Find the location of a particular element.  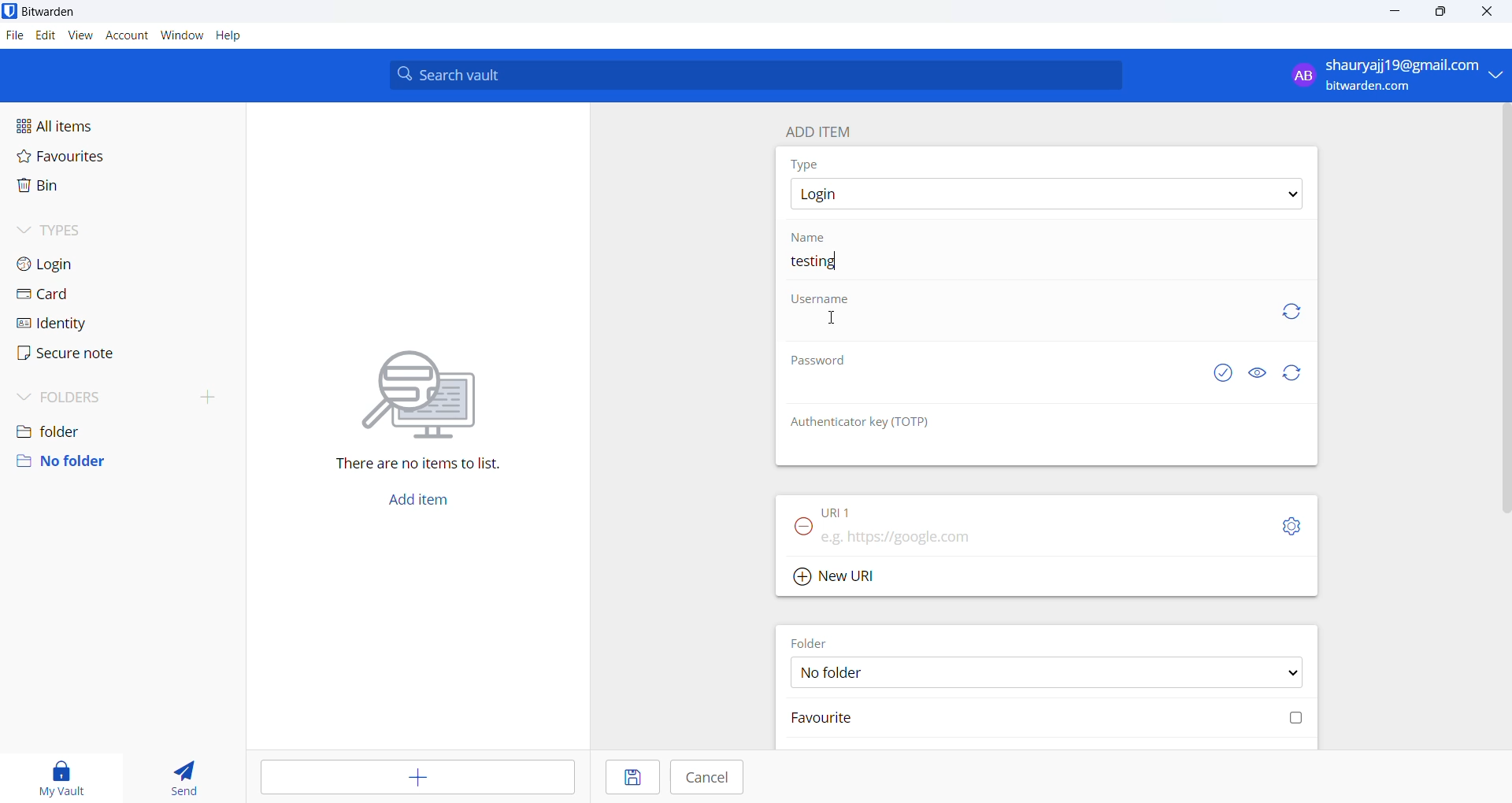

password input is located at coordinates (990, 391).